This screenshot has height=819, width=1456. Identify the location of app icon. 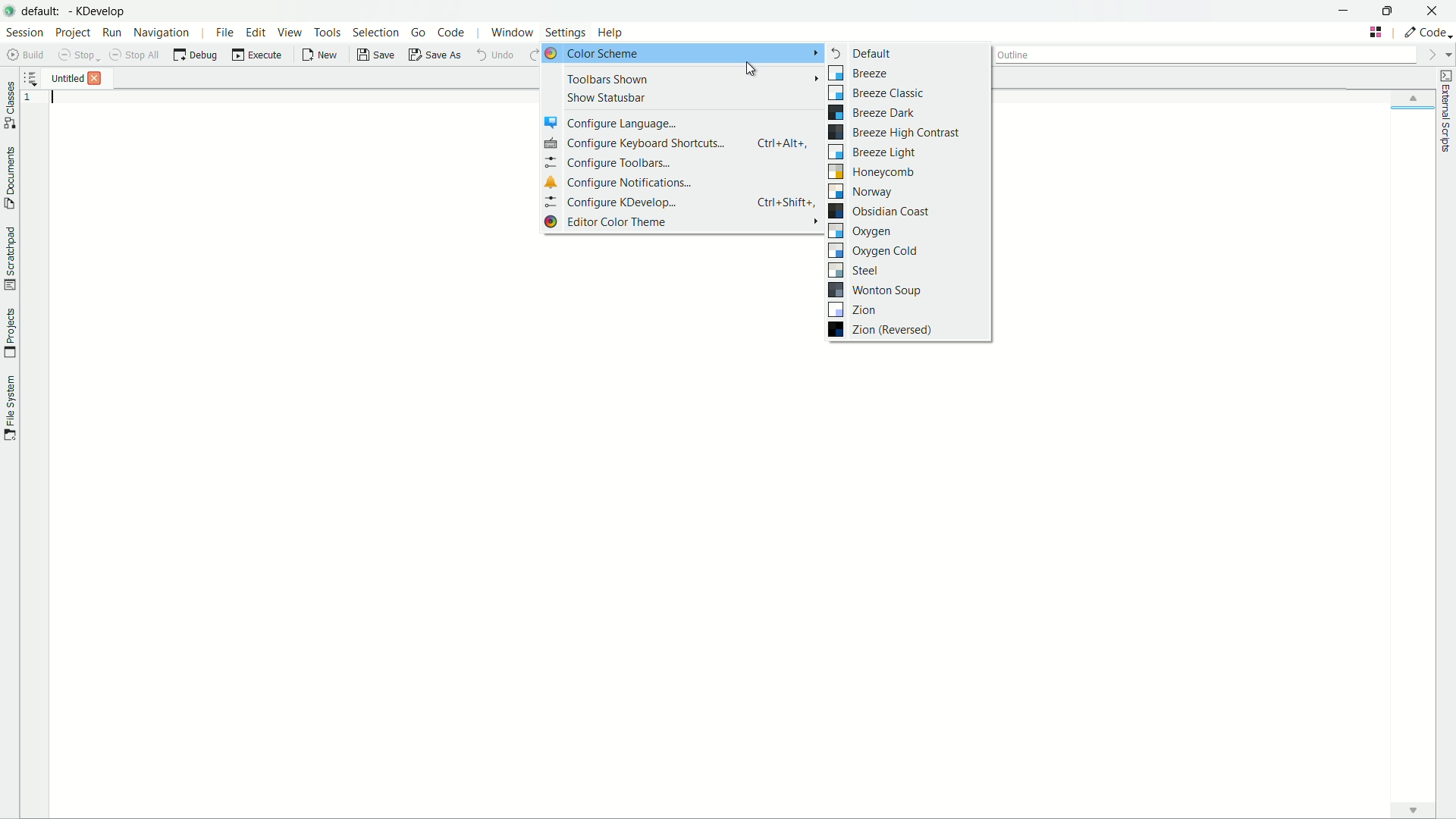
(10, 9).